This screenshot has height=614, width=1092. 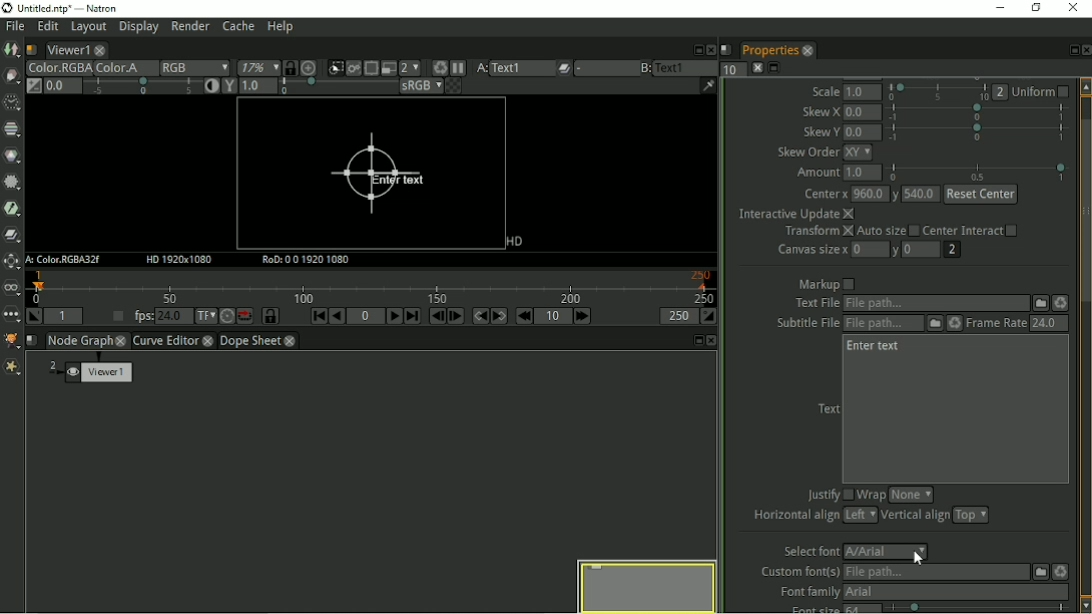 I want to click on HD, so click(x=181, y=260).